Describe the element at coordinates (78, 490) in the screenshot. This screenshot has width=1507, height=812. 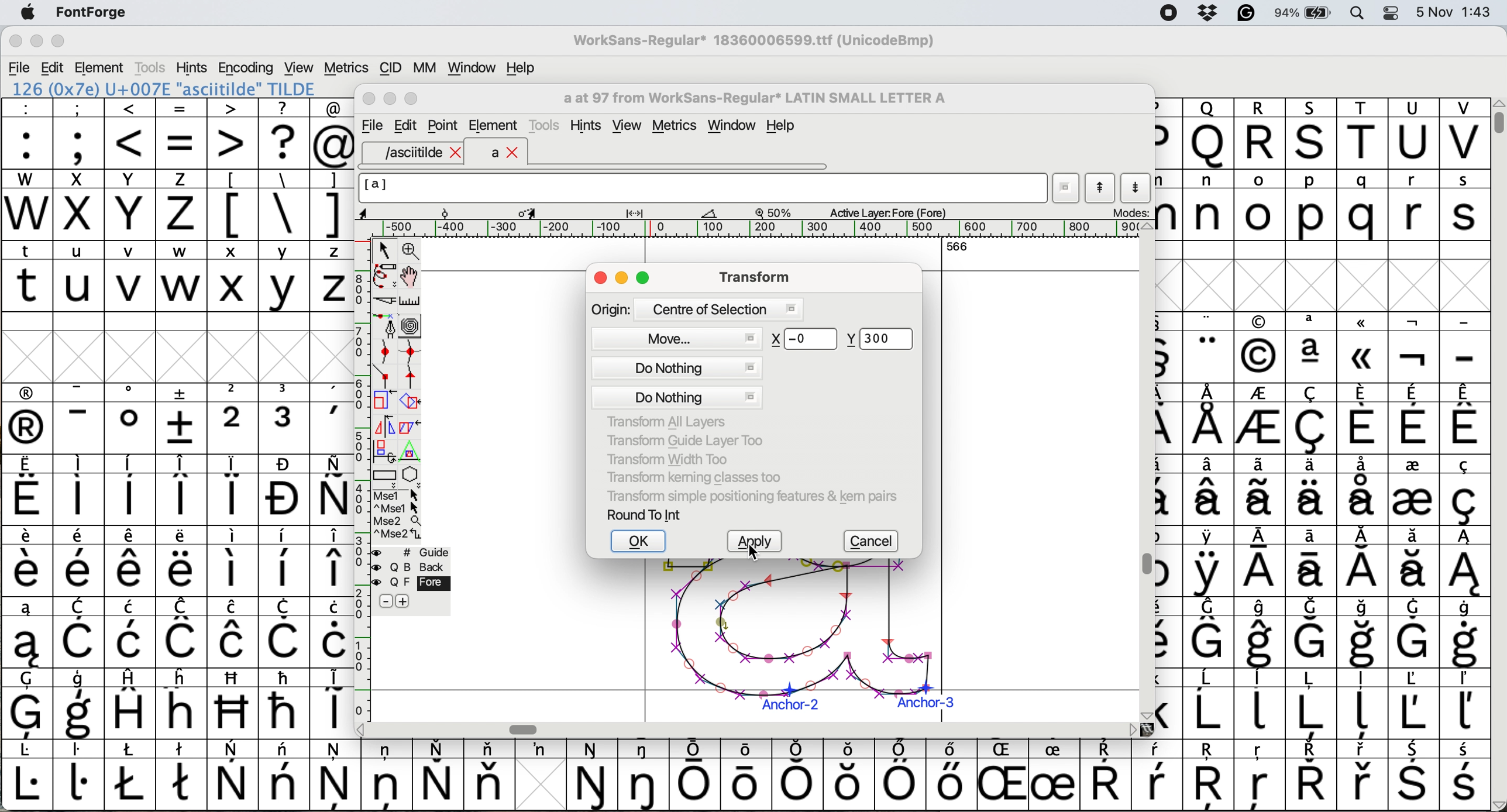
I see `symbol` at that location.